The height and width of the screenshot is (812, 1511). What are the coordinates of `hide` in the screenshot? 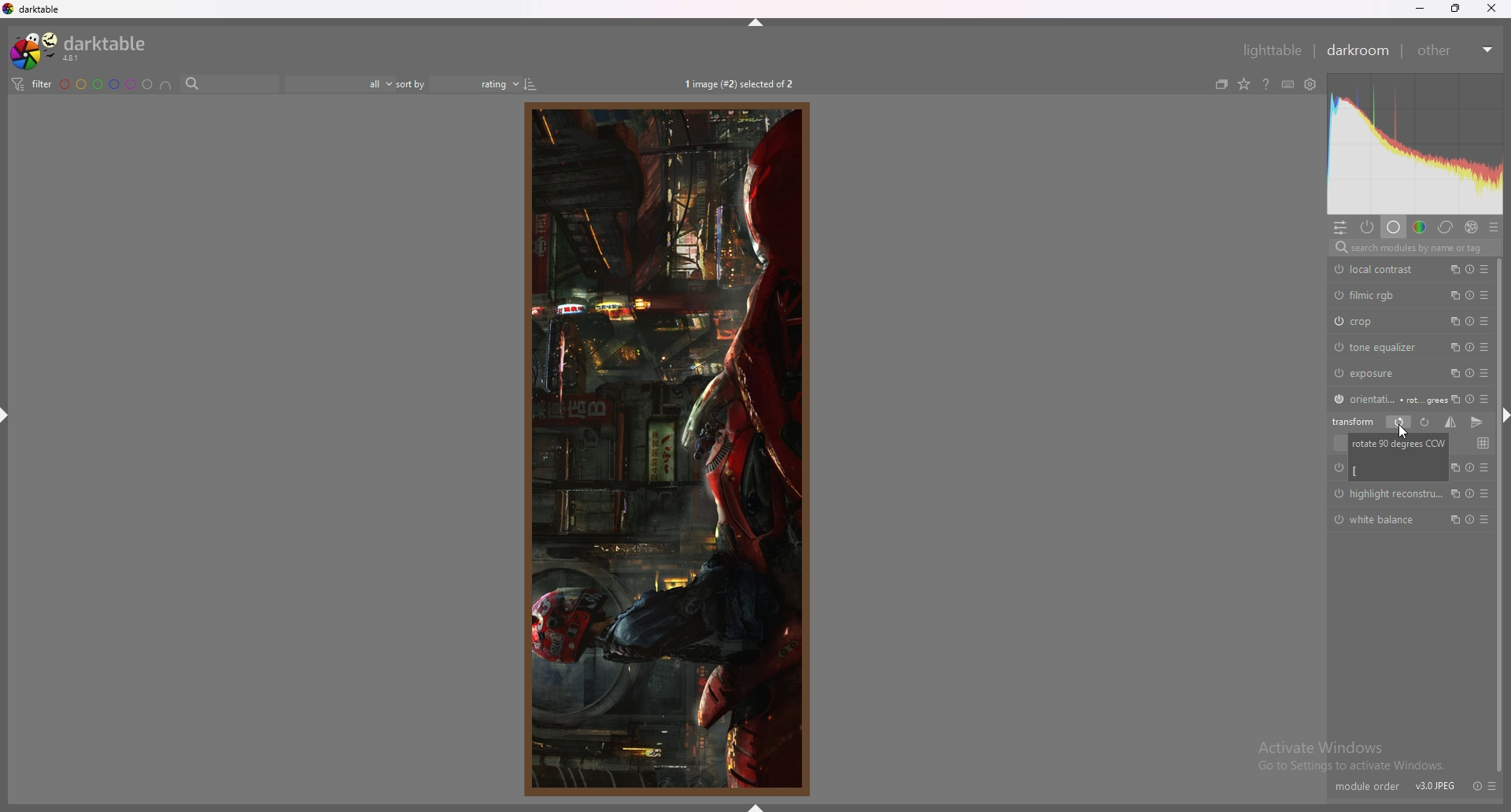 It's located at (9, 419).